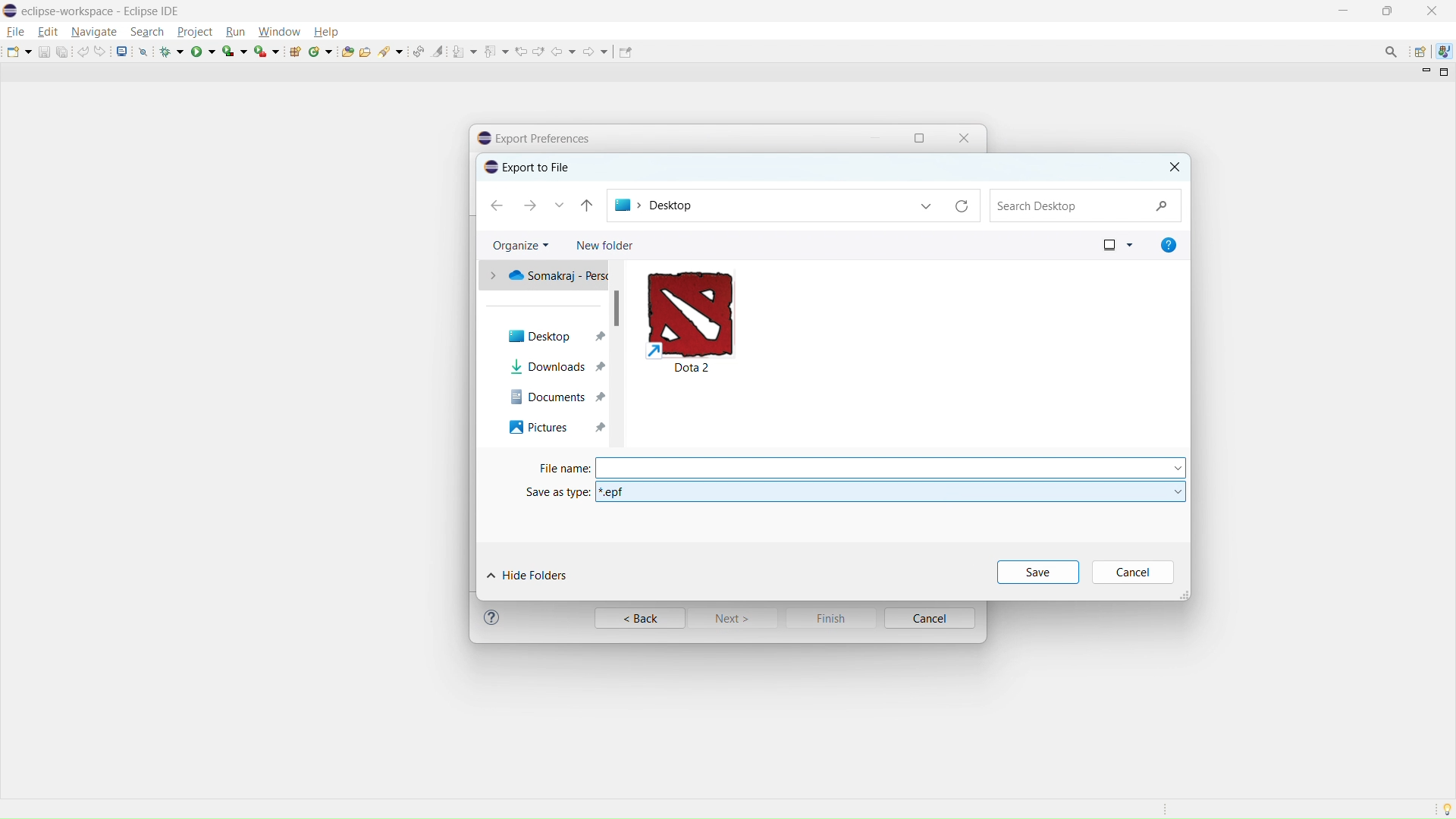 This screenshot has width=1456, height=819. Describe the element at coordinates (1087, 206) in the screenshot. I see `Search` at that location.